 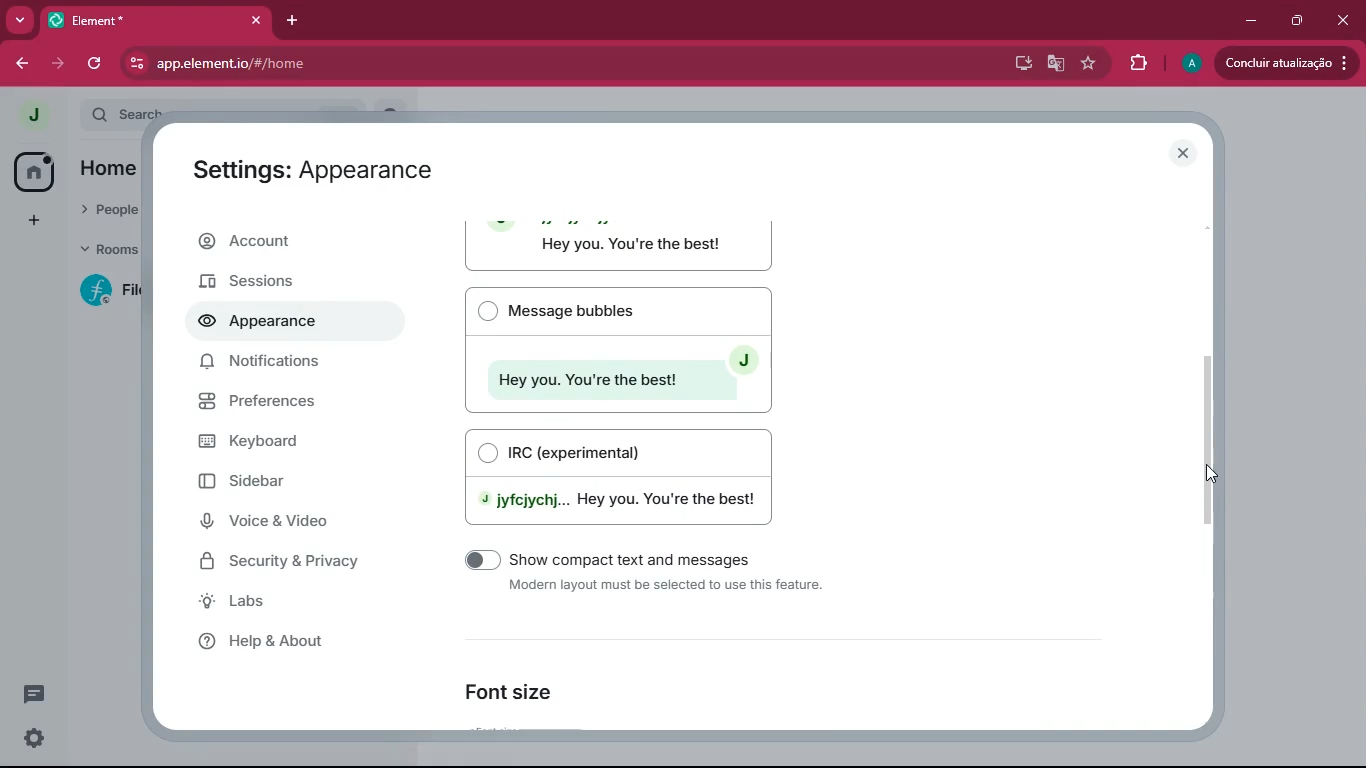 I want to click on update, so click(x=1286, y=65).